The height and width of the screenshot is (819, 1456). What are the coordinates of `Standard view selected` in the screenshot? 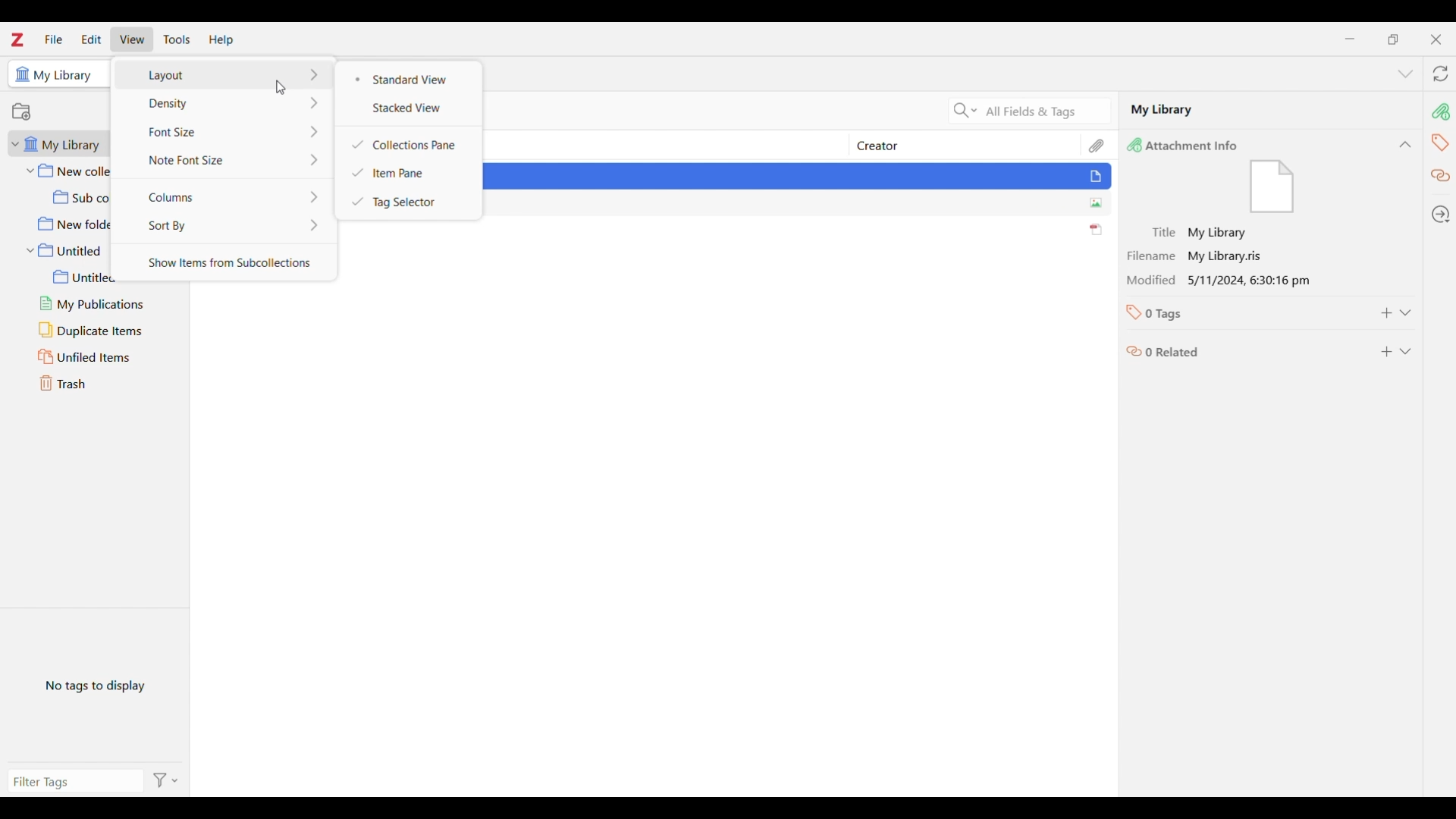 It's located at (411, 79).